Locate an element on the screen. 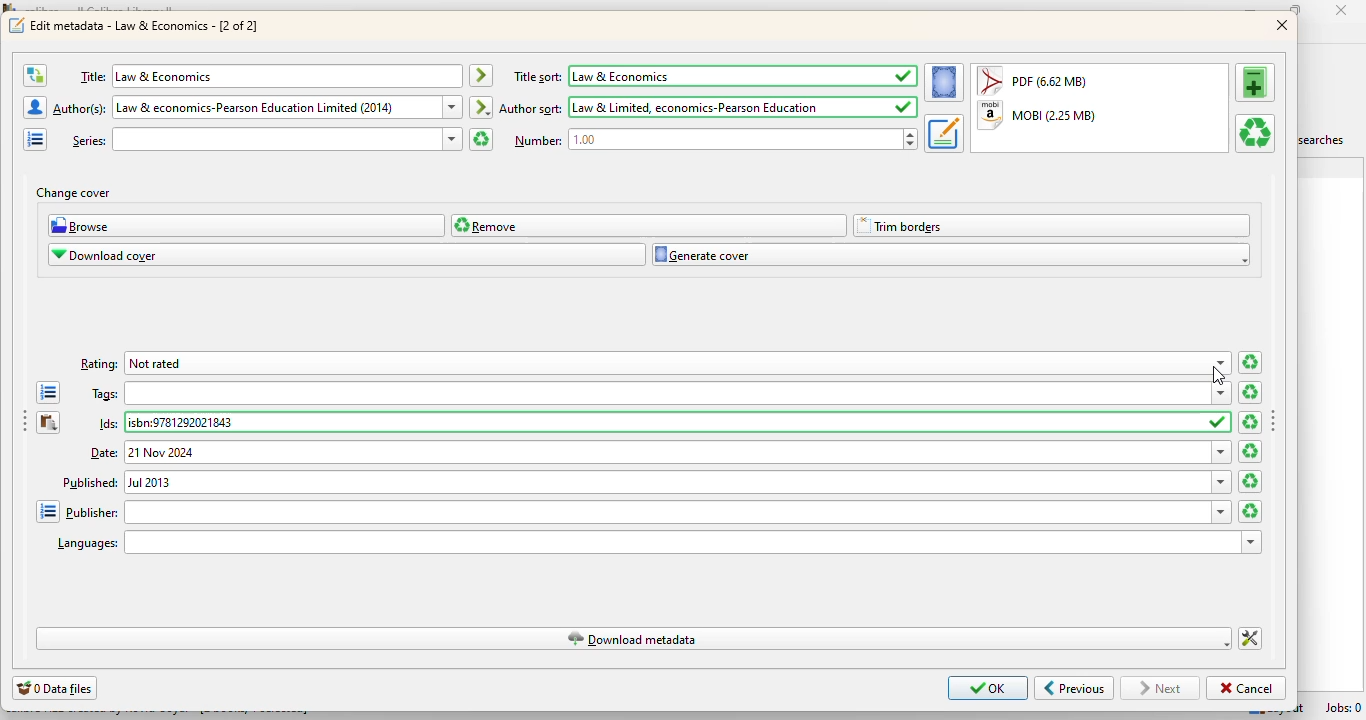  number: 1.00 is located at coordinates (713, 140).